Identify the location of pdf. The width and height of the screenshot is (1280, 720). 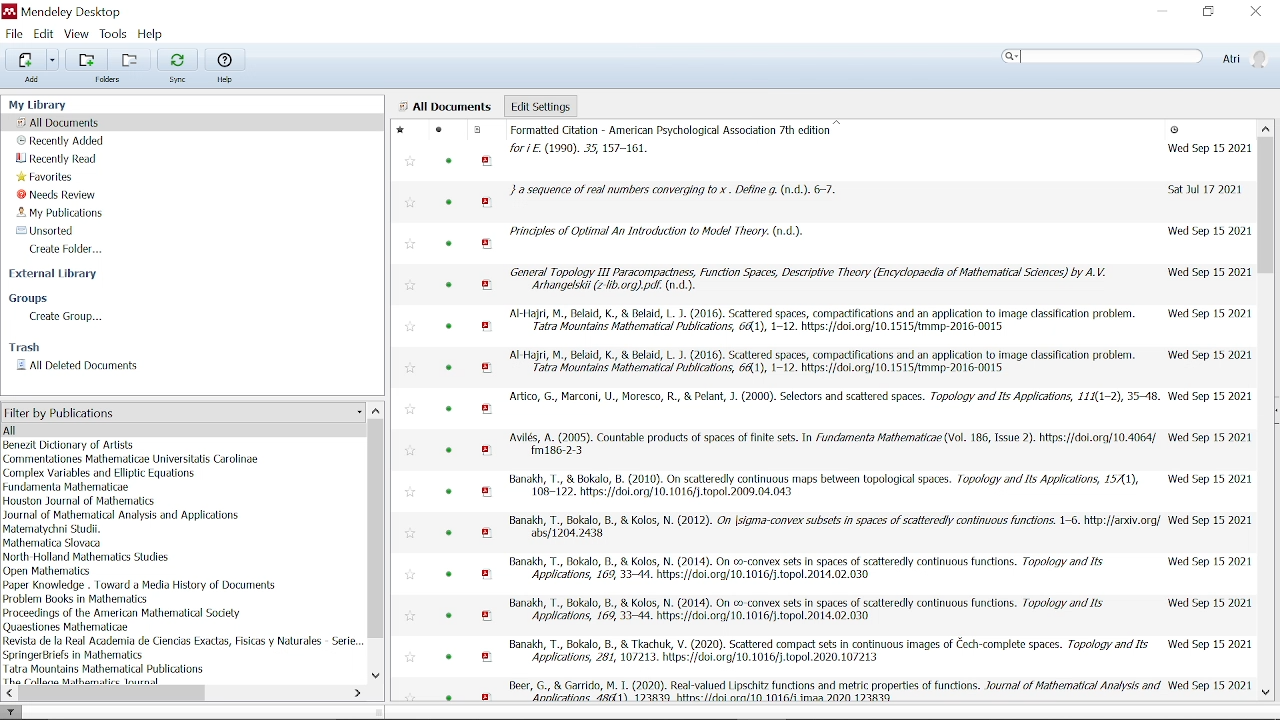
(485, 695).